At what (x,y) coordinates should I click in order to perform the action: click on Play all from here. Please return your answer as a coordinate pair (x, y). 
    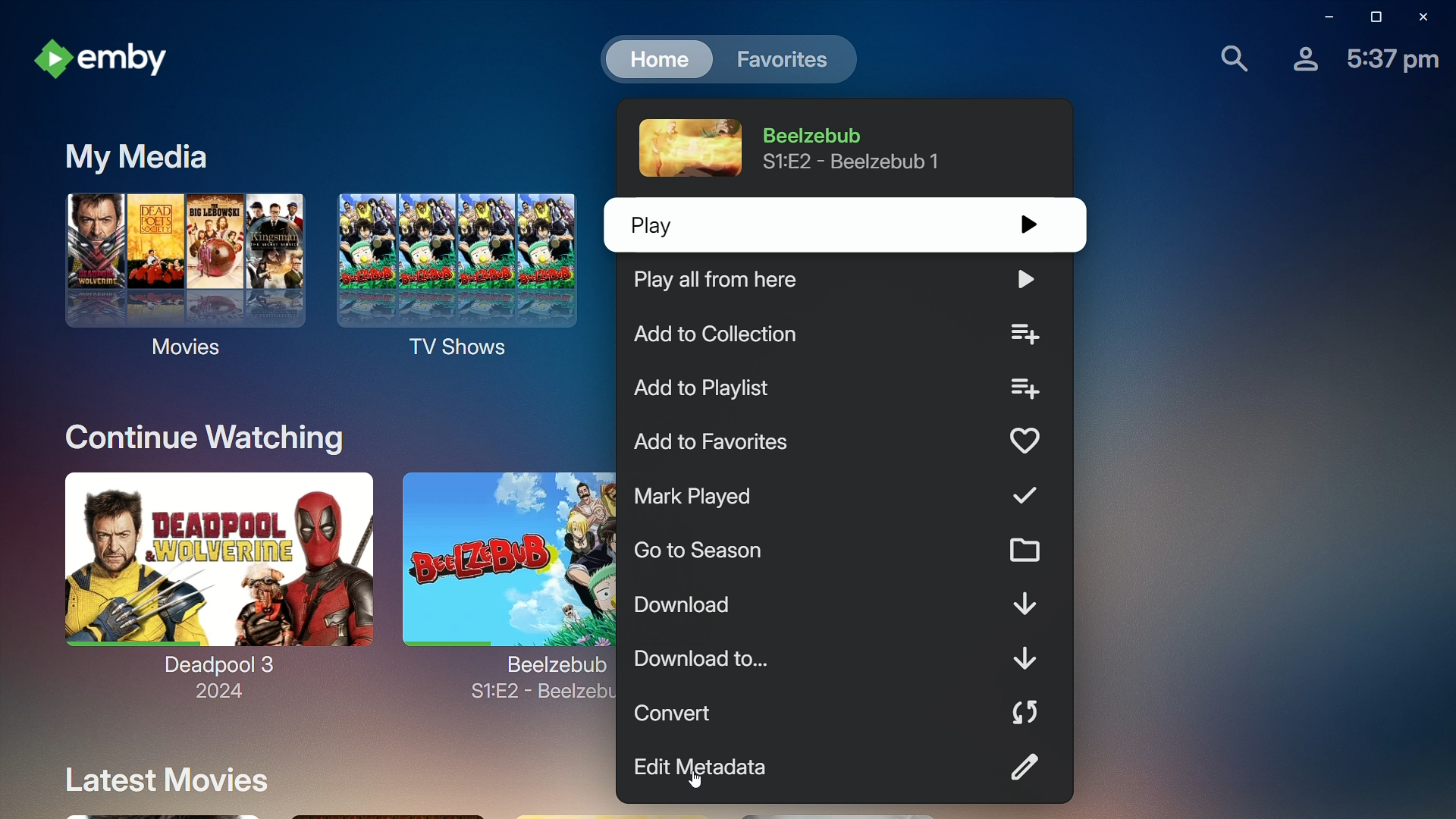
    Looking at the image, I should click on (848, 282).